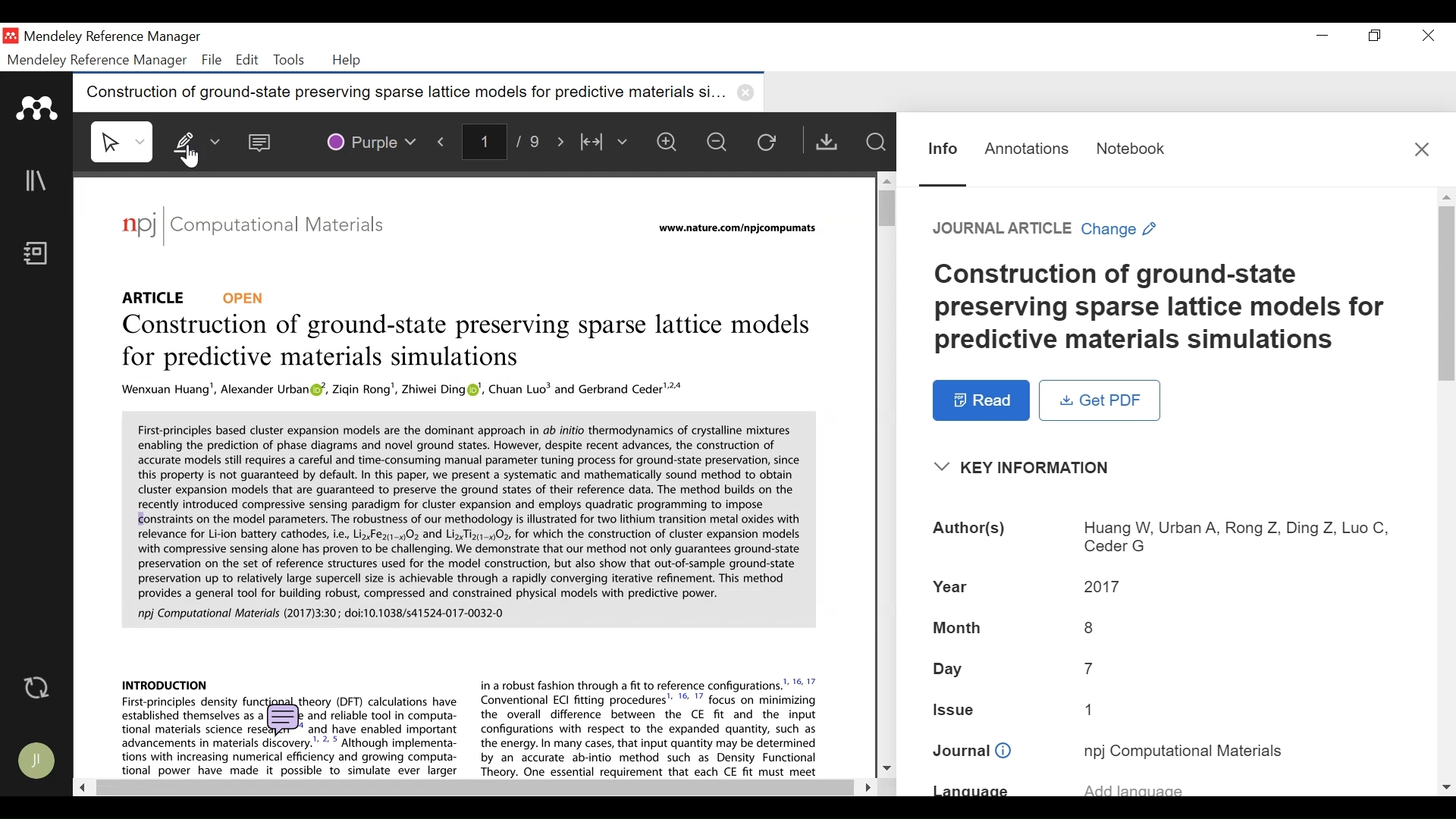 The height and width of the screenshot is (819, 1456). Describe the element at coordinates (1422, 149) in the screenshot. I see `Close` at that location.